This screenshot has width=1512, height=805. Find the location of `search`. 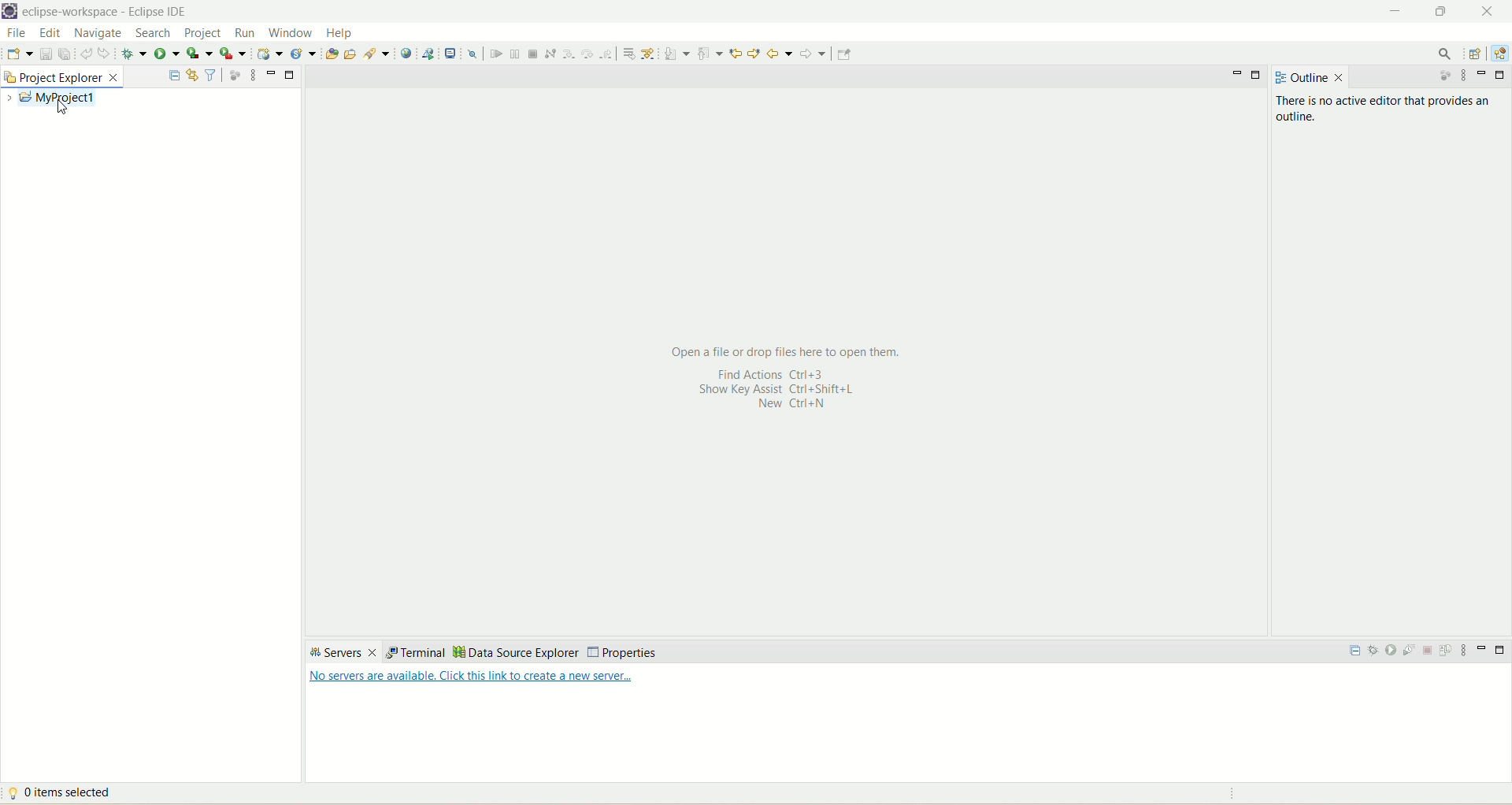

search is located at coordinates (379, 54).